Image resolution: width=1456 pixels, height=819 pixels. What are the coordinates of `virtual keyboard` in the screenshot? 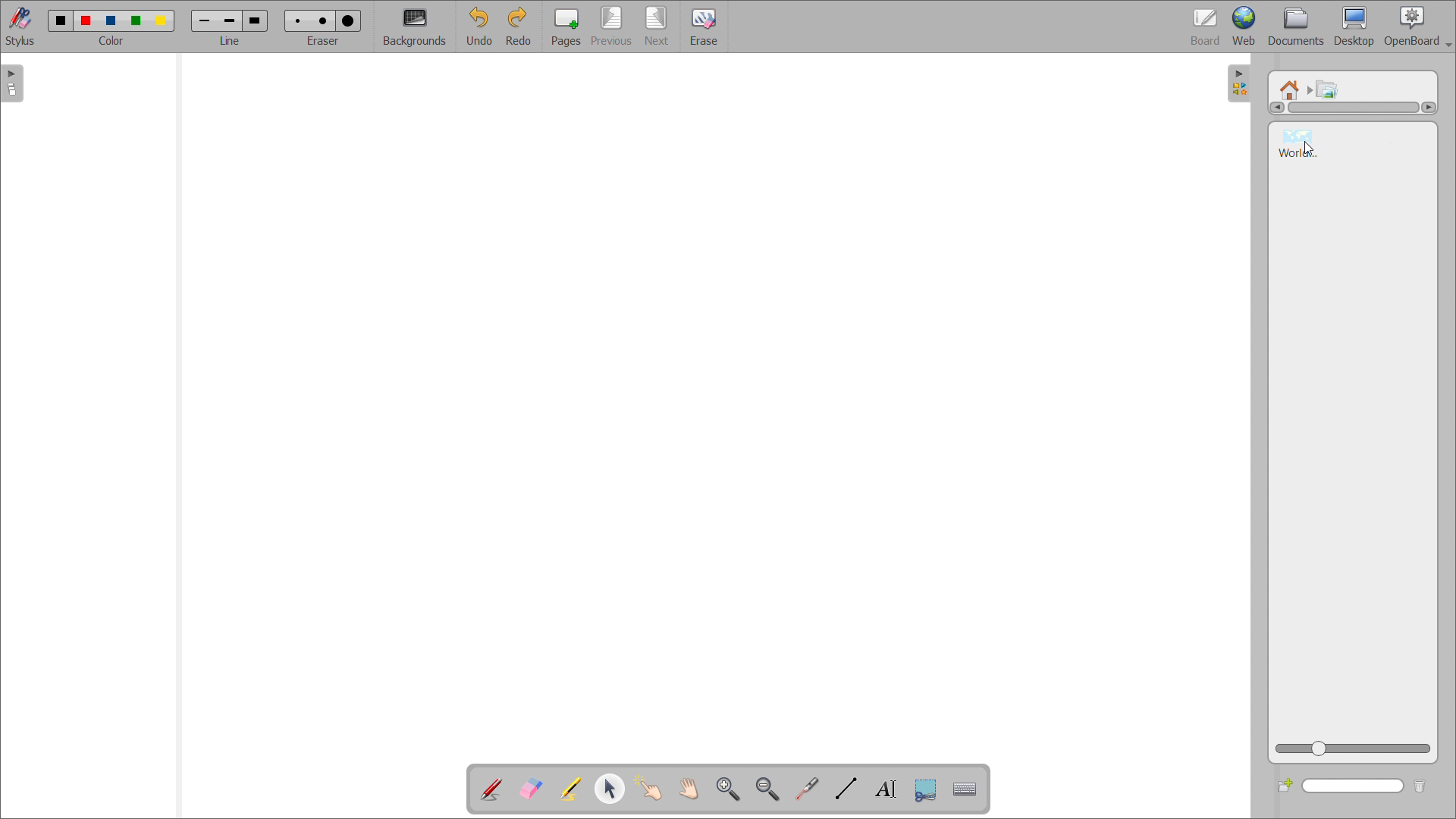 It's located at (965, 789).